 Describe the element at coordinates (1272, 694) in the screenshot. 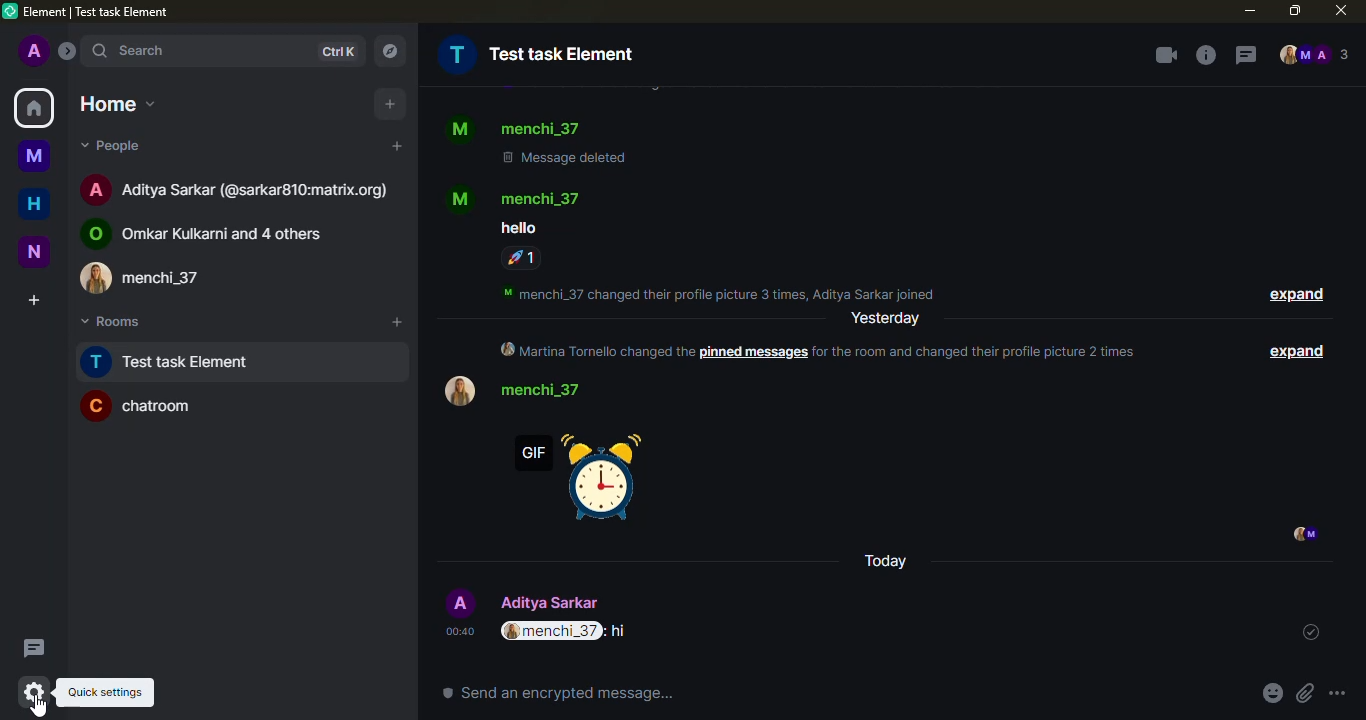

I see `emoji` at that location.